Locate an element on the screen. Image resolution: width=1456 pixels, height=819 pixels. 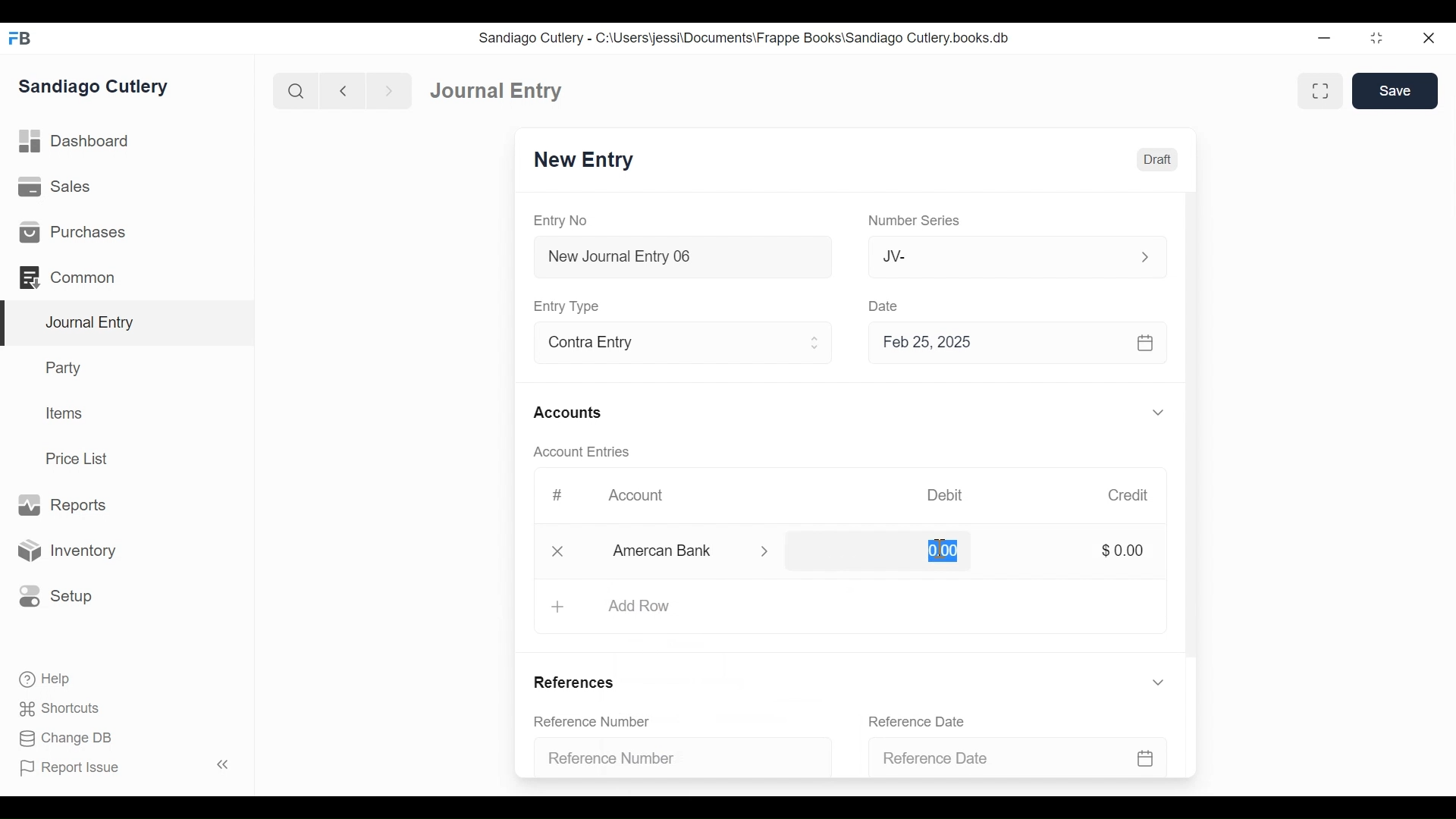
$0.00 is located at coordinates (1122, 549).